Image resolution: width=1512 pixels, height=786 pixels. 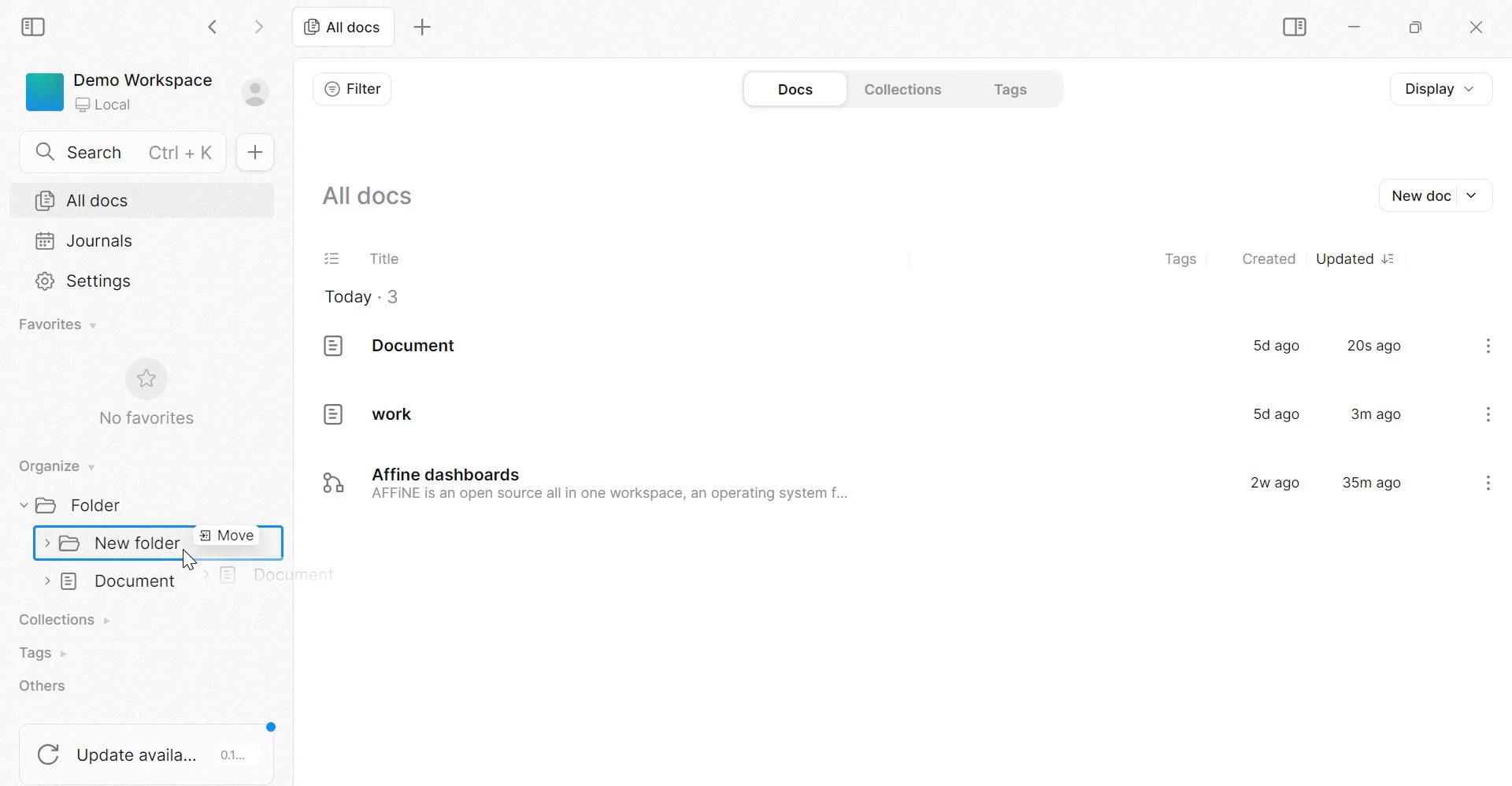 I want to click on Search , so click(x=120, y=152).